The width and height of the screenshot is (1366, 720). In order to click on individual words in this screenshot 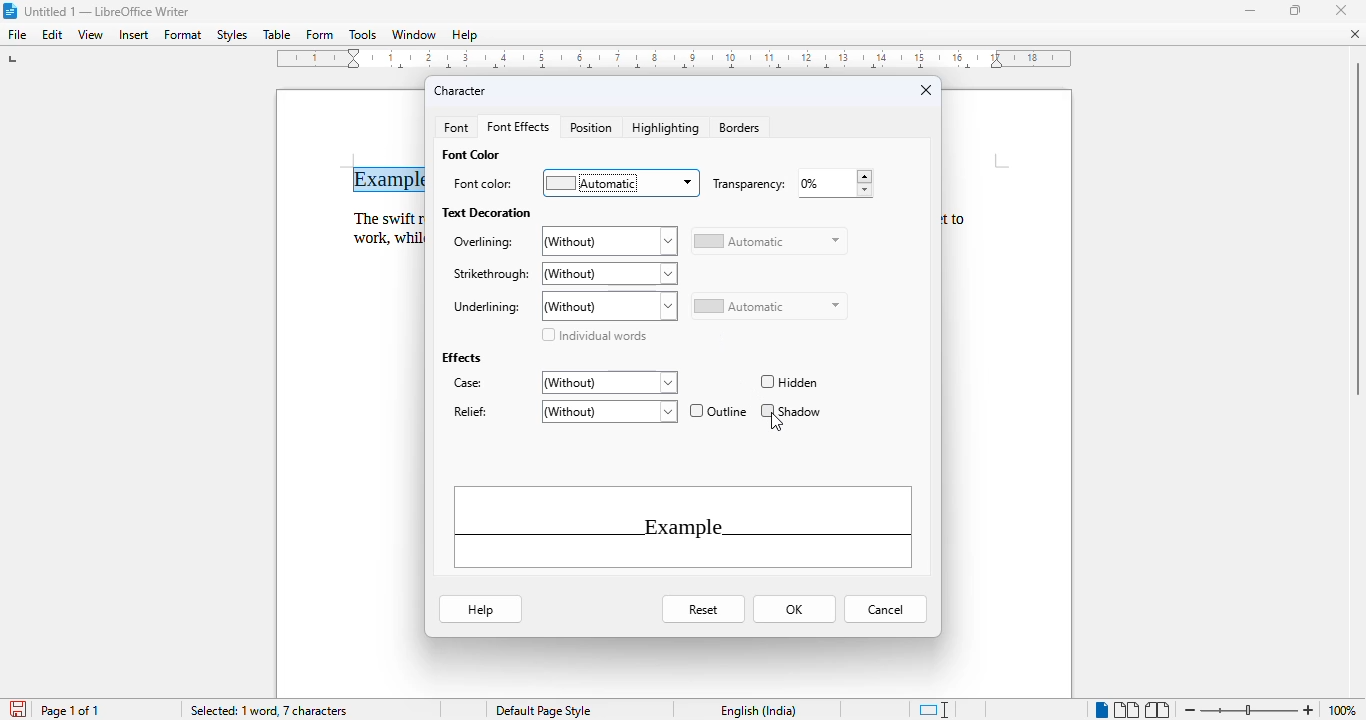, I will do `click(593, 335)`.